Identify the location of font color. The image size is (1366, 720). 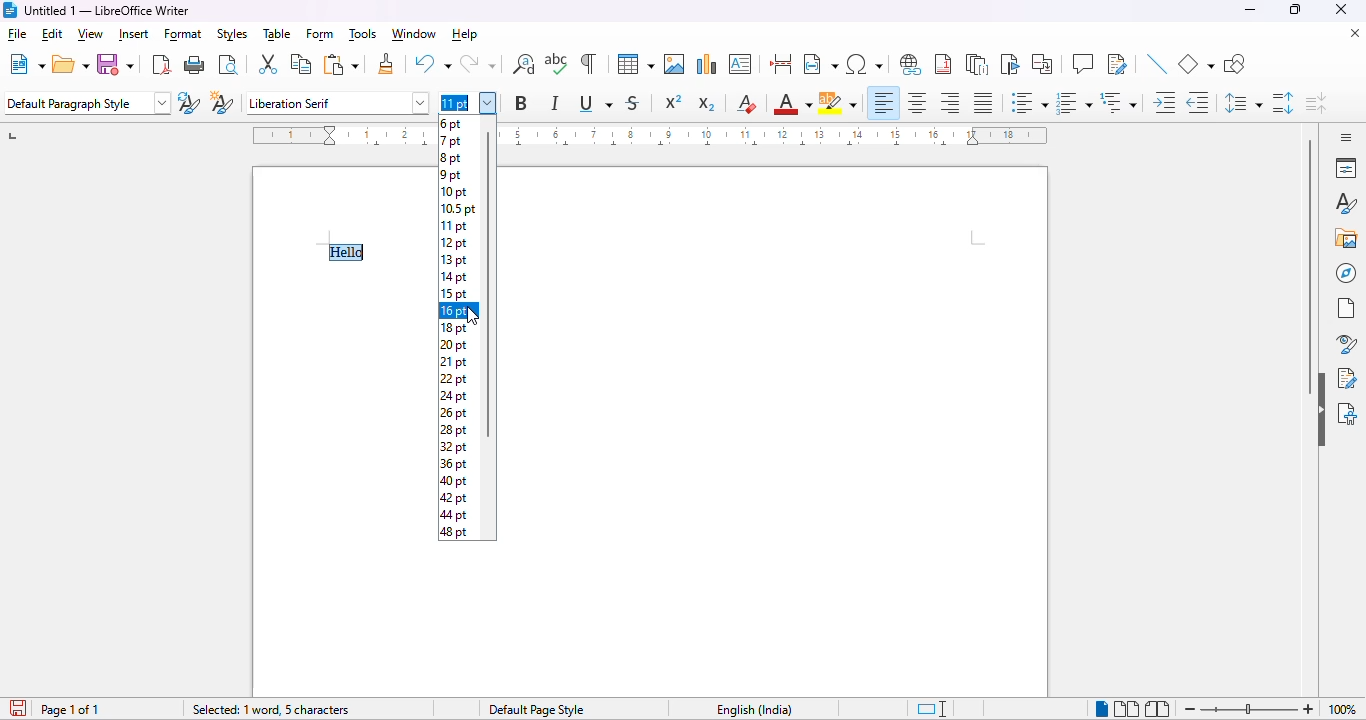
(792, 103).